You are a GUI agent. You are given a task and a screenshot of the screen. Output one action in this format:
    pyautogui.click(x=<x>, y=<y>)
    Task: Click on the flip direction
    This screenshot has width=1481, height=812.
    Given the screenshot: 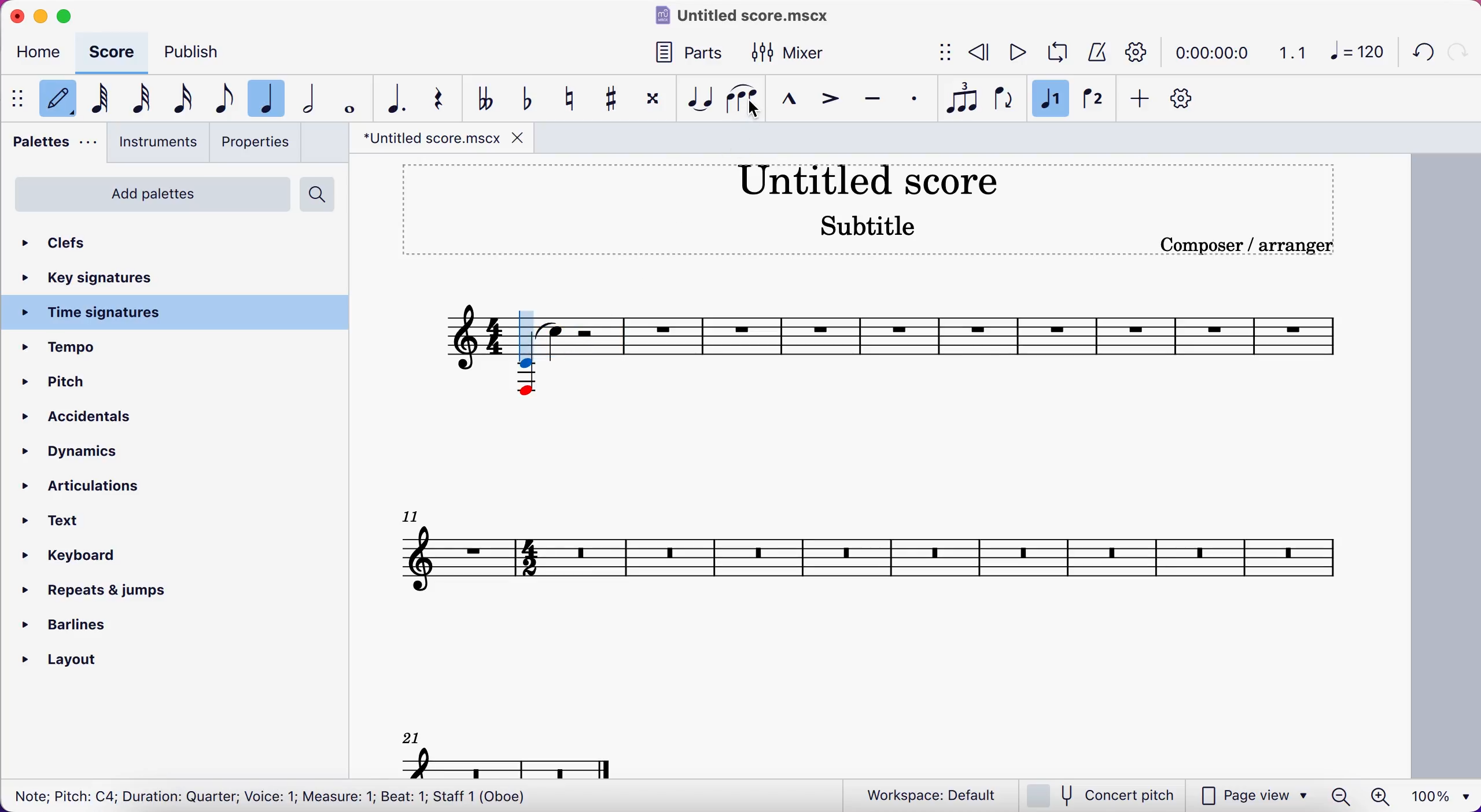 What is the action you would take?
    pyautogui.click(x=1001, y=98)
    